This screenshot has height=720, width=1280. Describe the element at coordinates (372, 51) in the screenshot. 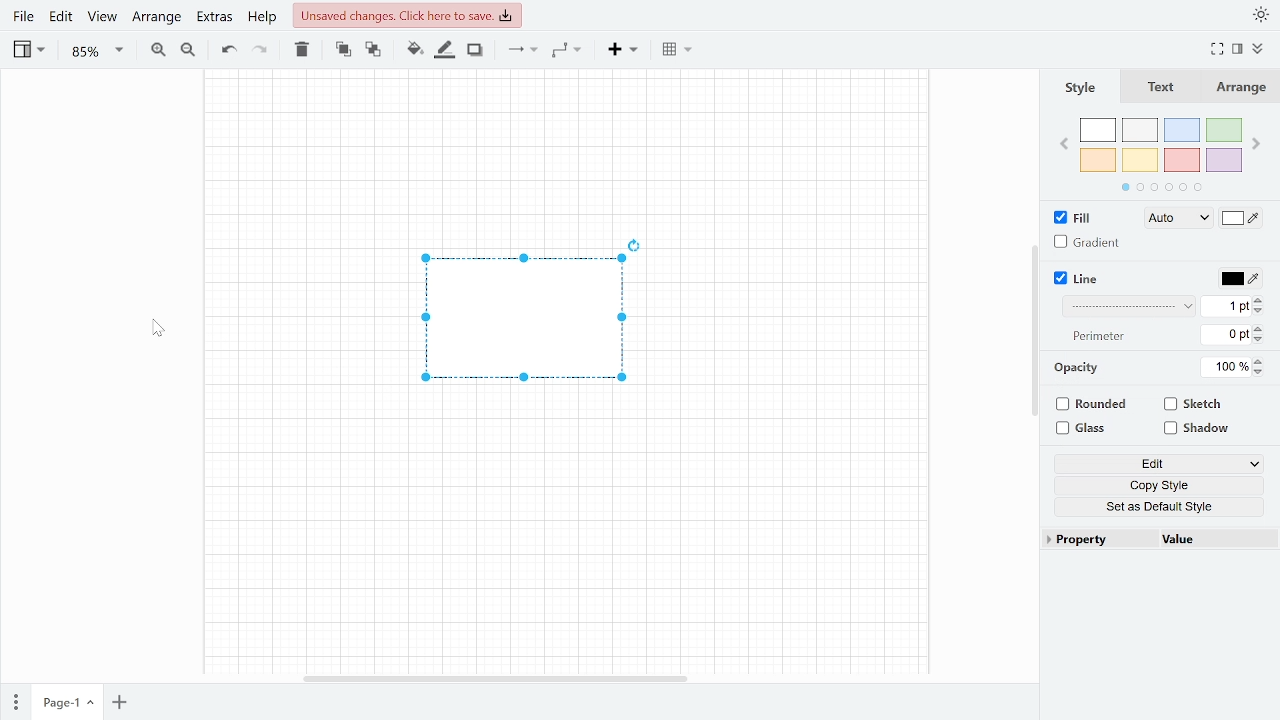

I see `To back` at that location.